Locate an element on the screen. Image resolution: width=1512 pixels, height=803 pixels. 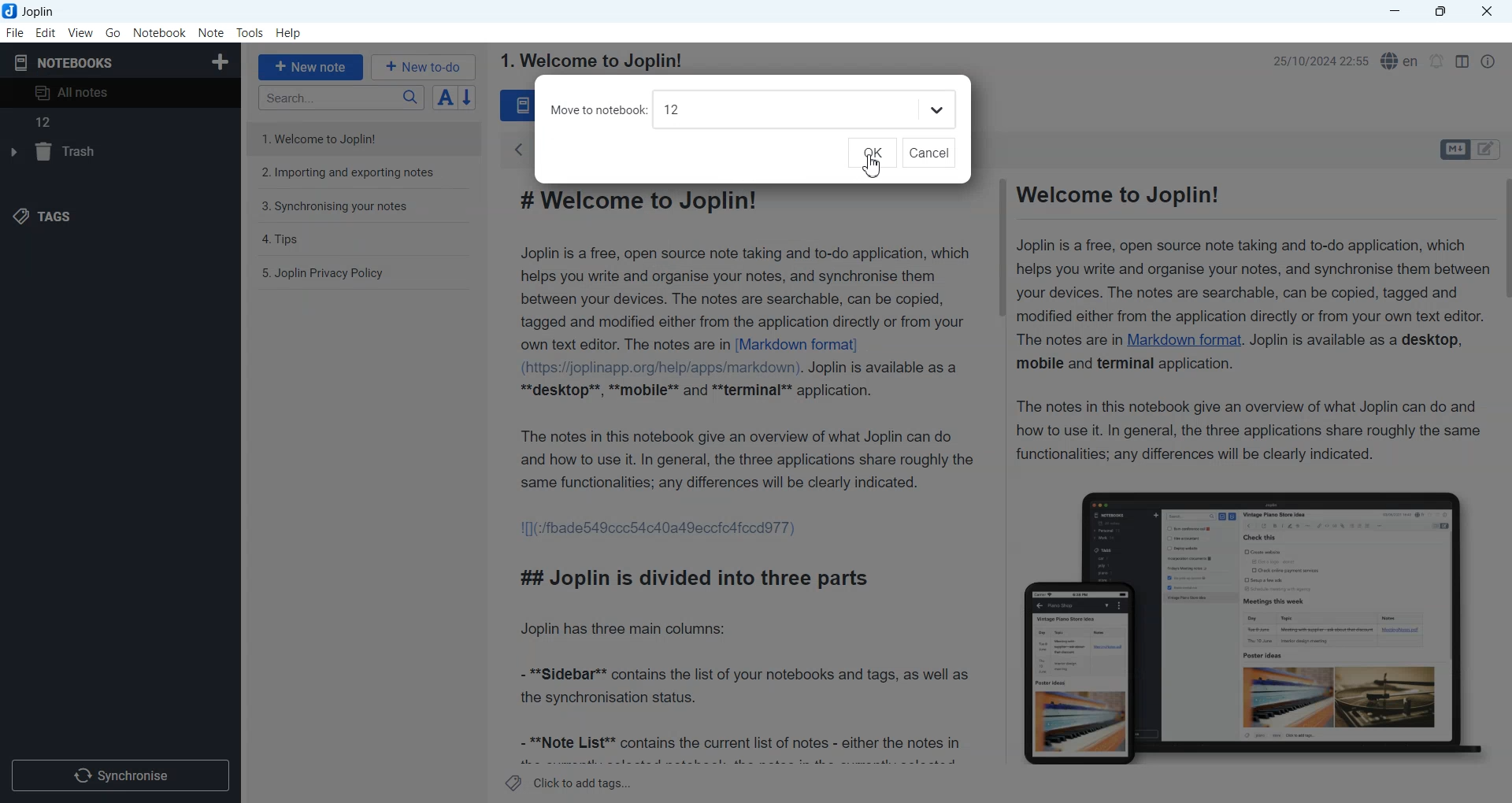
Close is located at coordinates (1485, 12).